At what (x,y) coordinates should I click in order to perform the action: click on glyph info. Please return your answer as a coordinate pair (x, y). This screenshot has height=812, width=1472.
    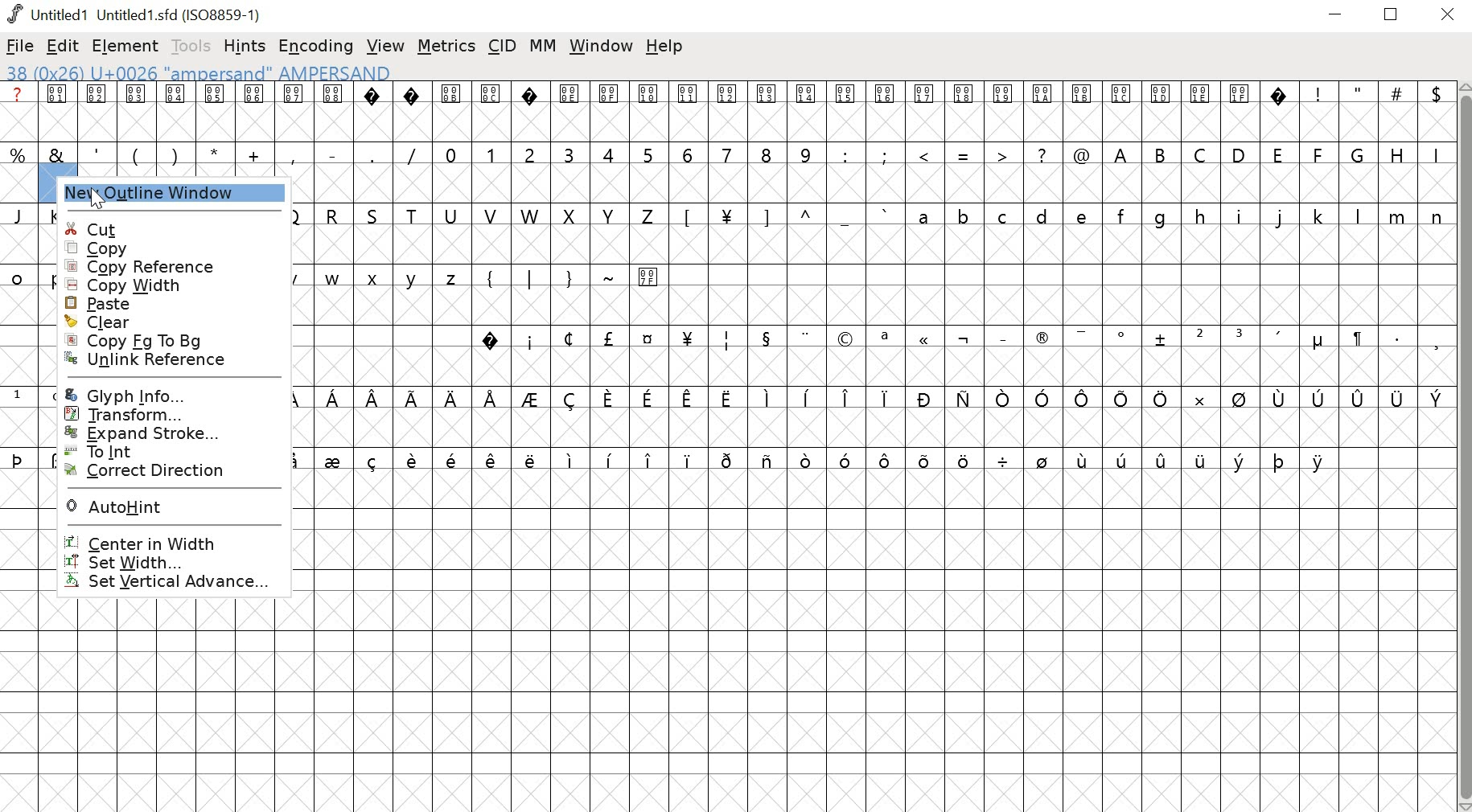
    Looking at the image, I should click on (178, 391).